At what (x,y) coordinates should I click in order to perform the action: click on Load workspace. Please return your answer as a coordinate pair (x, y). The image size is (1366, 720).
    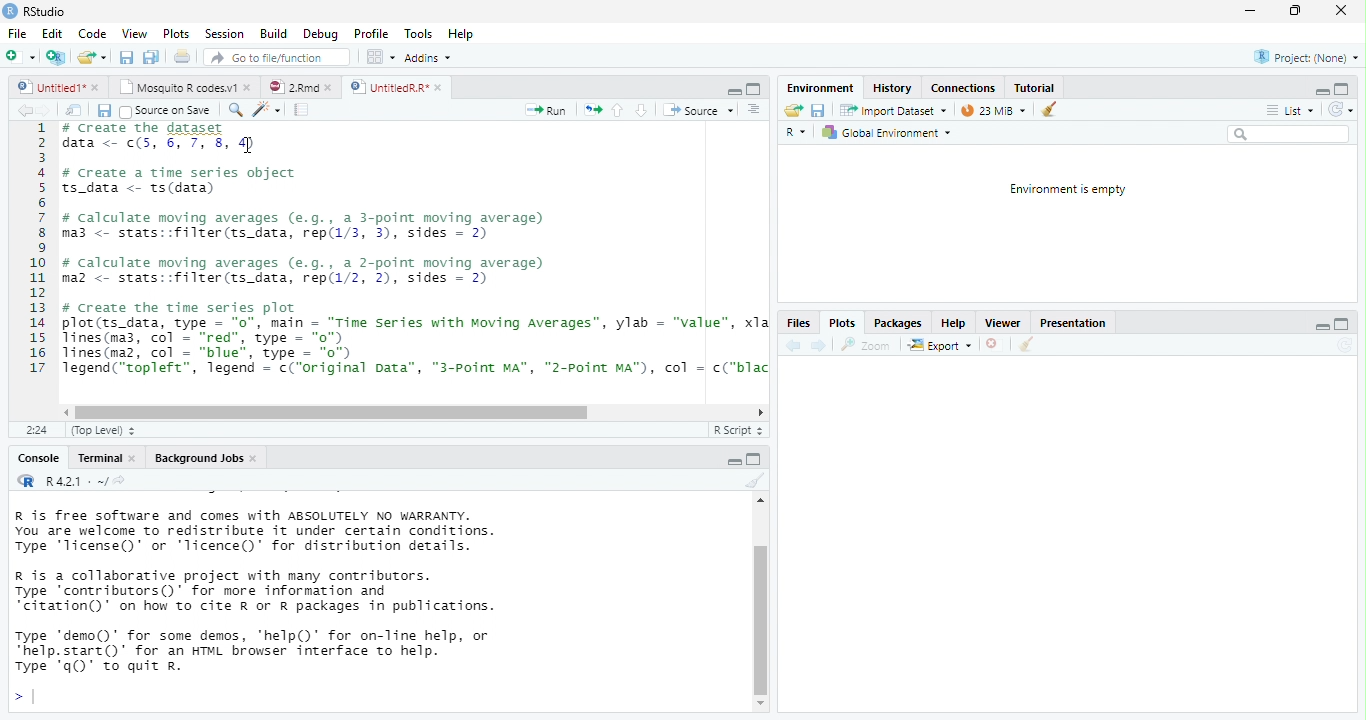
    Looking at the image, I should click on (793, 111).